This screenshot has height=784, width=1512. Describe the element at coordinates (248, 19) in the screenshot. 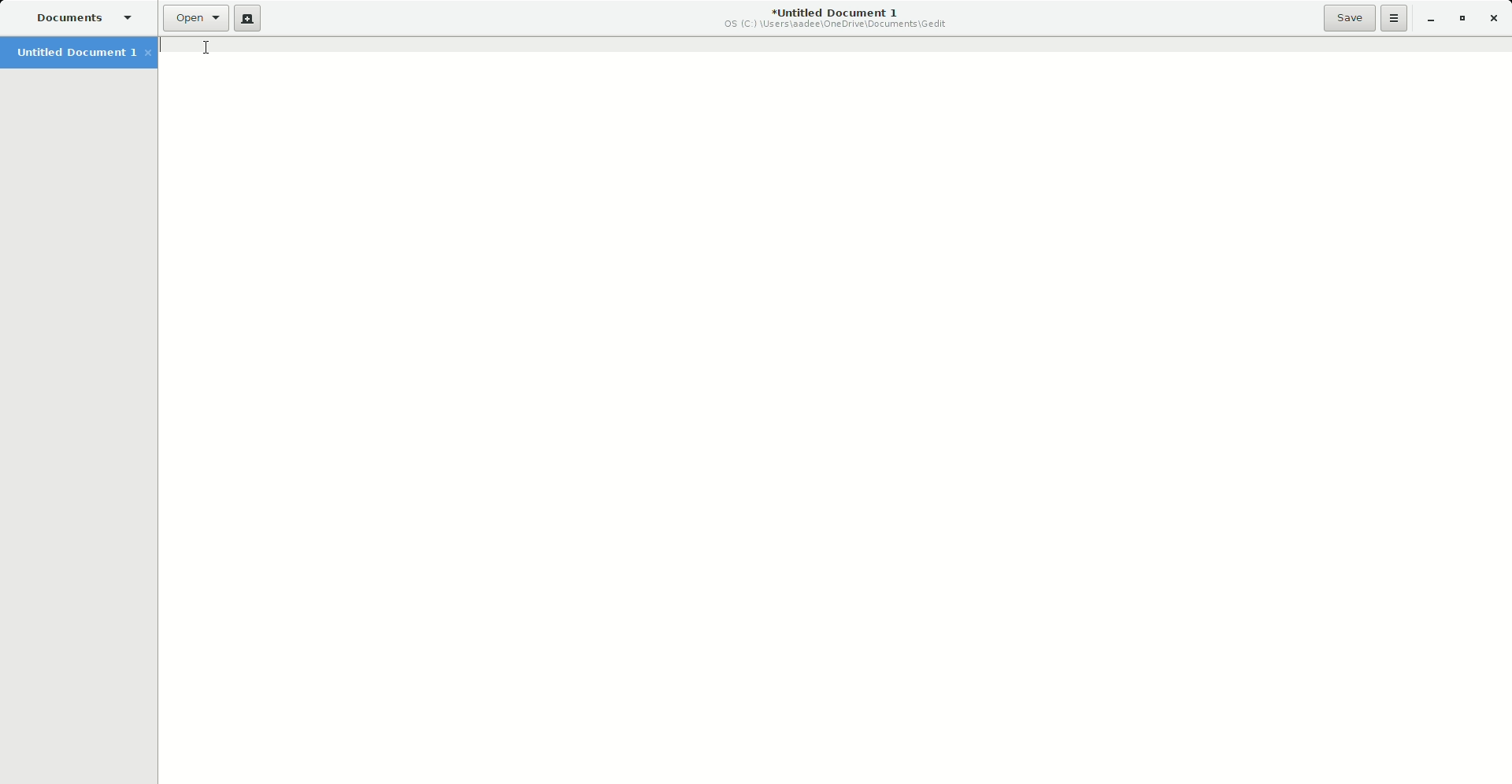

I see `New` at that location.